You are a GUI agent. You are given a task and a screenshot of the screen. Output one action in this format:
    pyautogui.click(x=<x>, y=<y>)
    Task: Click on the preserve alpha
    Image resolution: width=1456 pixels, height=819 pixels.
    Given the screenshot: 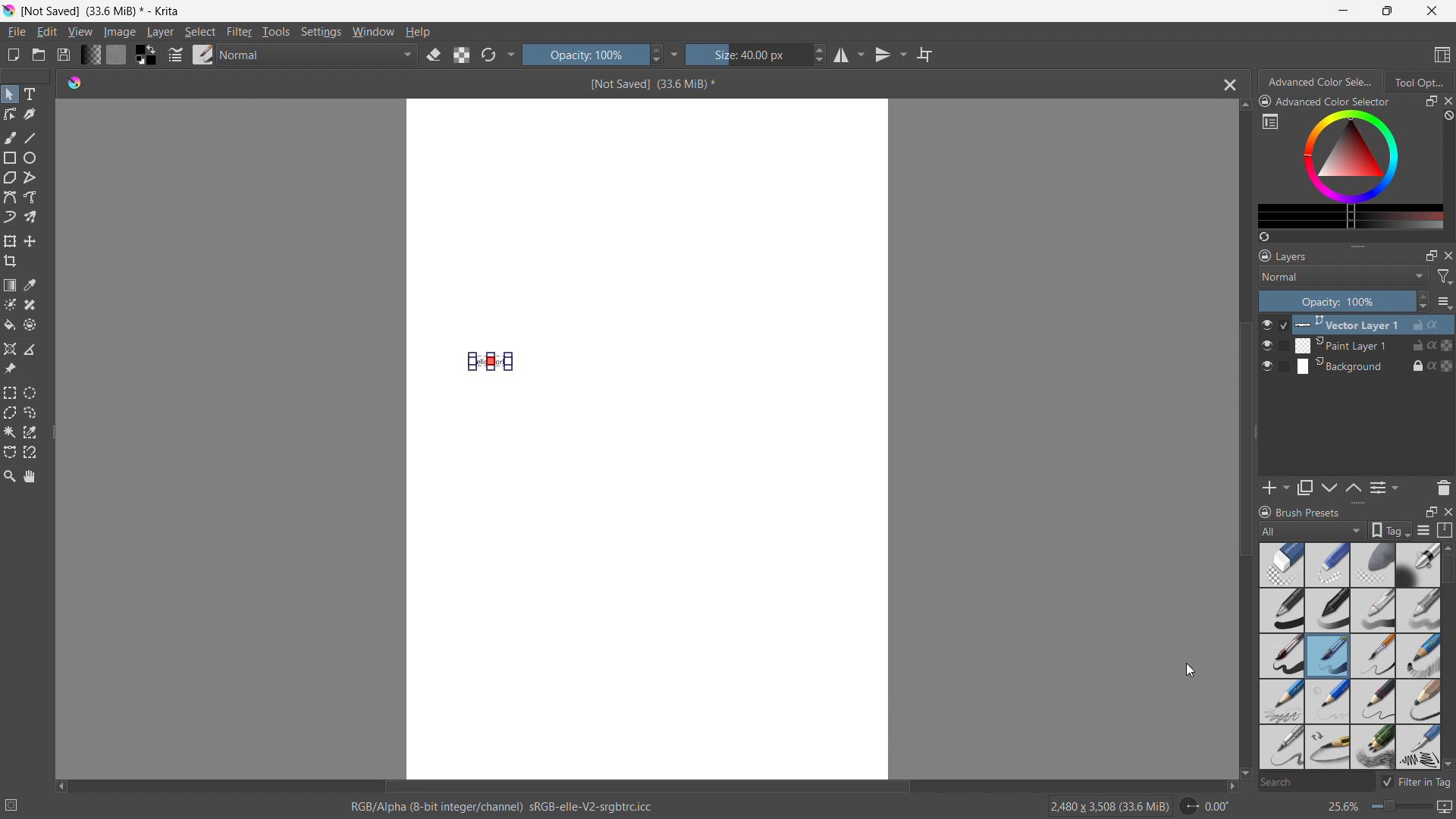 What is the action you would take?
    pyautogui.click(x=461, y=55)
    